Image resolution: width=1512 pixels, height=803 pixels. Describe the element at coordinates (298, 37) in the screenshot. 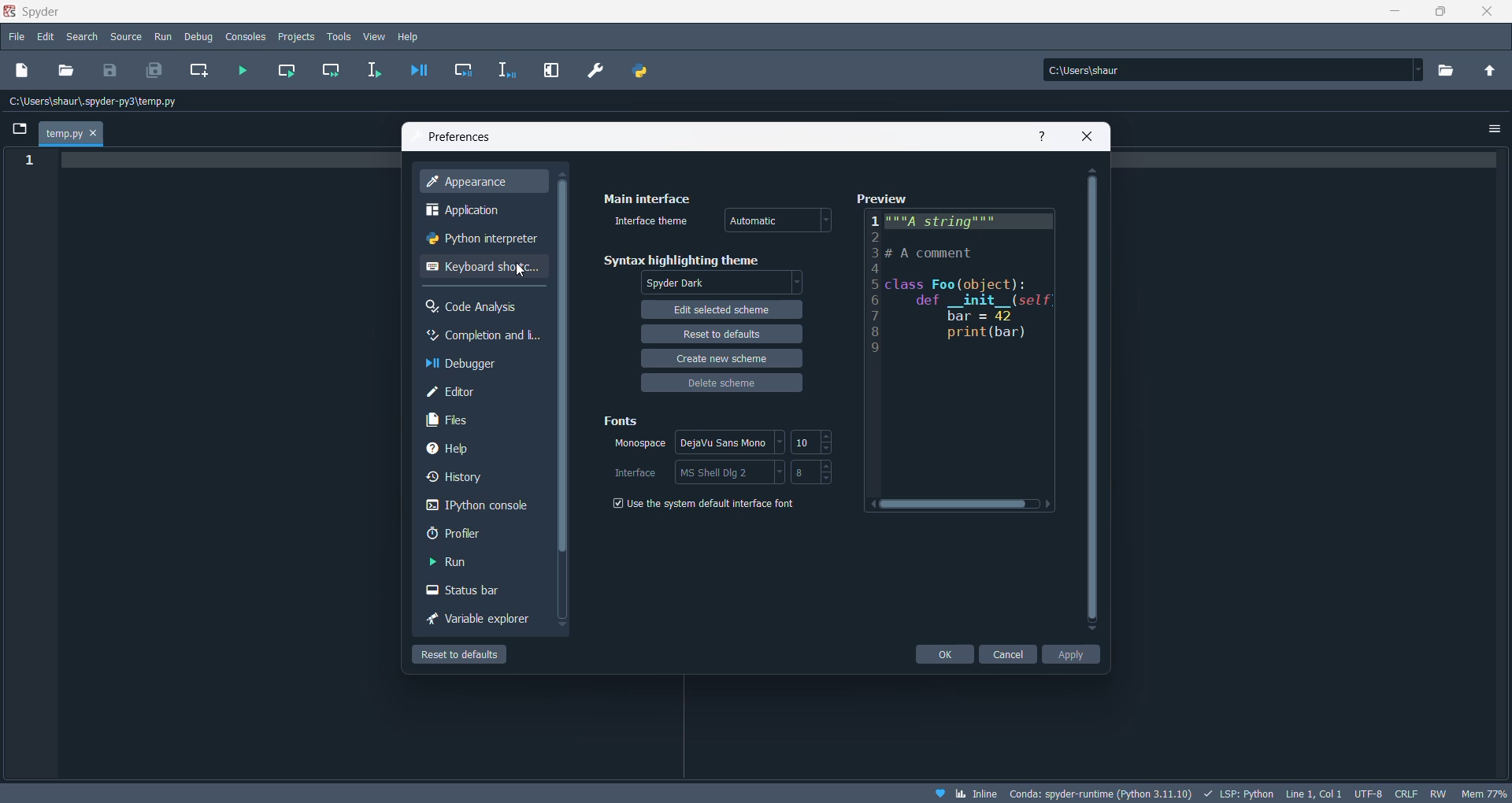

I see `projects` at that location.